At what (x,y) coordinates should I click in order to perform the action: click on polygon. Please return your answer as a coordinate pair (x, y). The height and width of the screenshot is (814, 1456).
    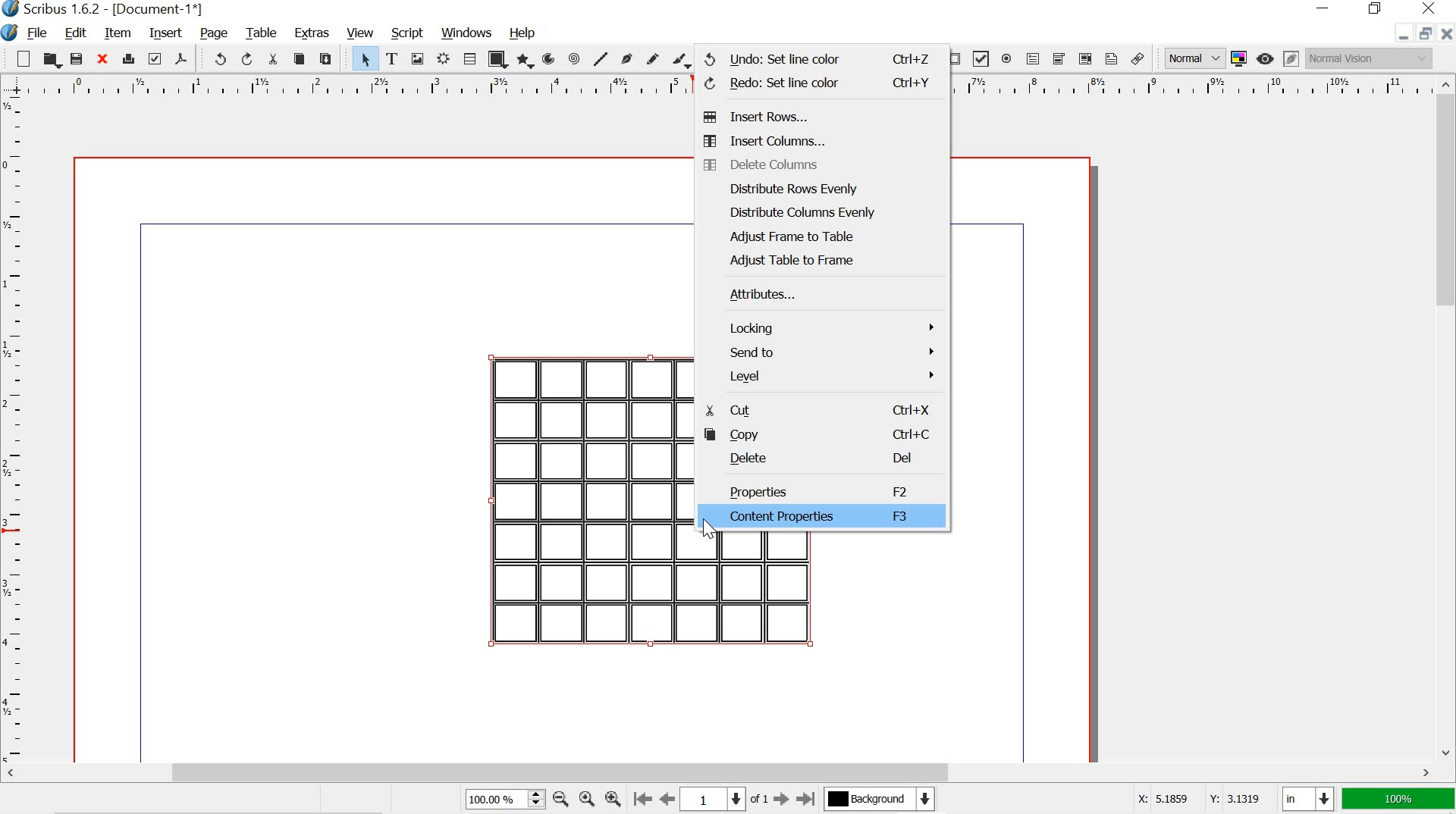
    Looking at the image, I should click on (524, 58).